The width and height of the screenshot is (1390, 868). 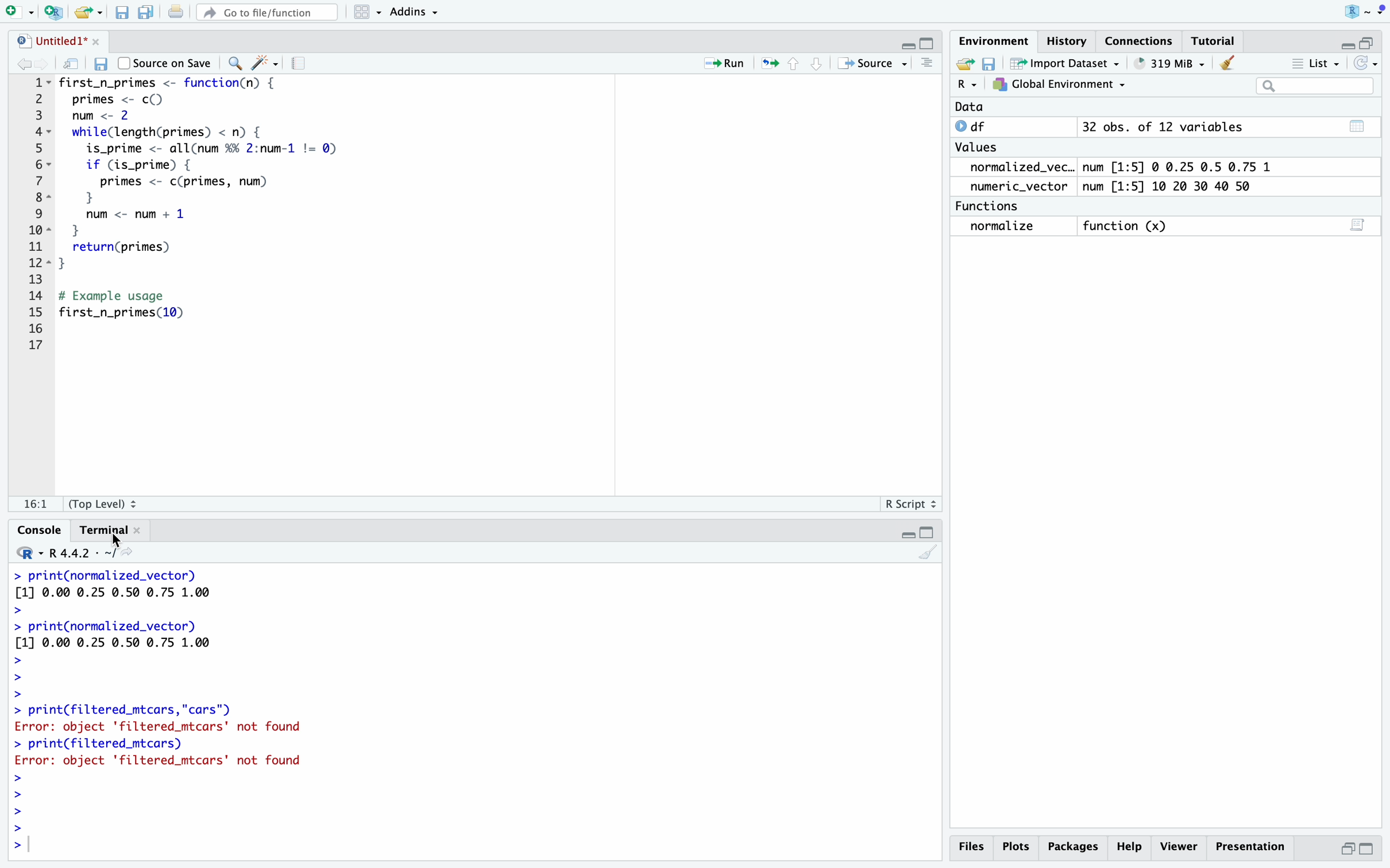 What do you see at coordinates (1018, 845) in the screenshot?
I see `Plots` at bounding box center [1018, 845].